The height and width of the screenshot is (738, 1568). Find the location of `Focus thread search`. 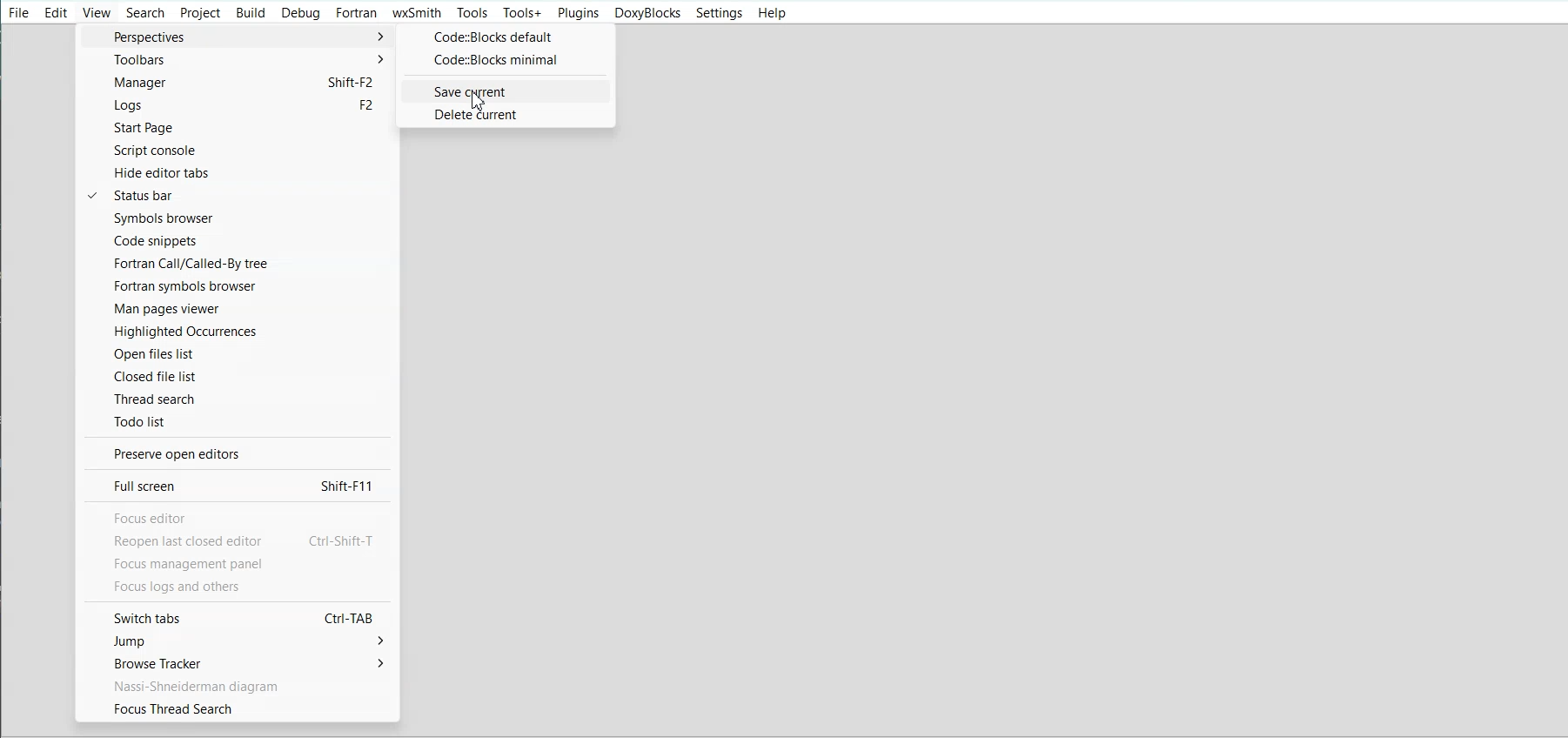

Focus thread search is located at coordinates (245, 708).